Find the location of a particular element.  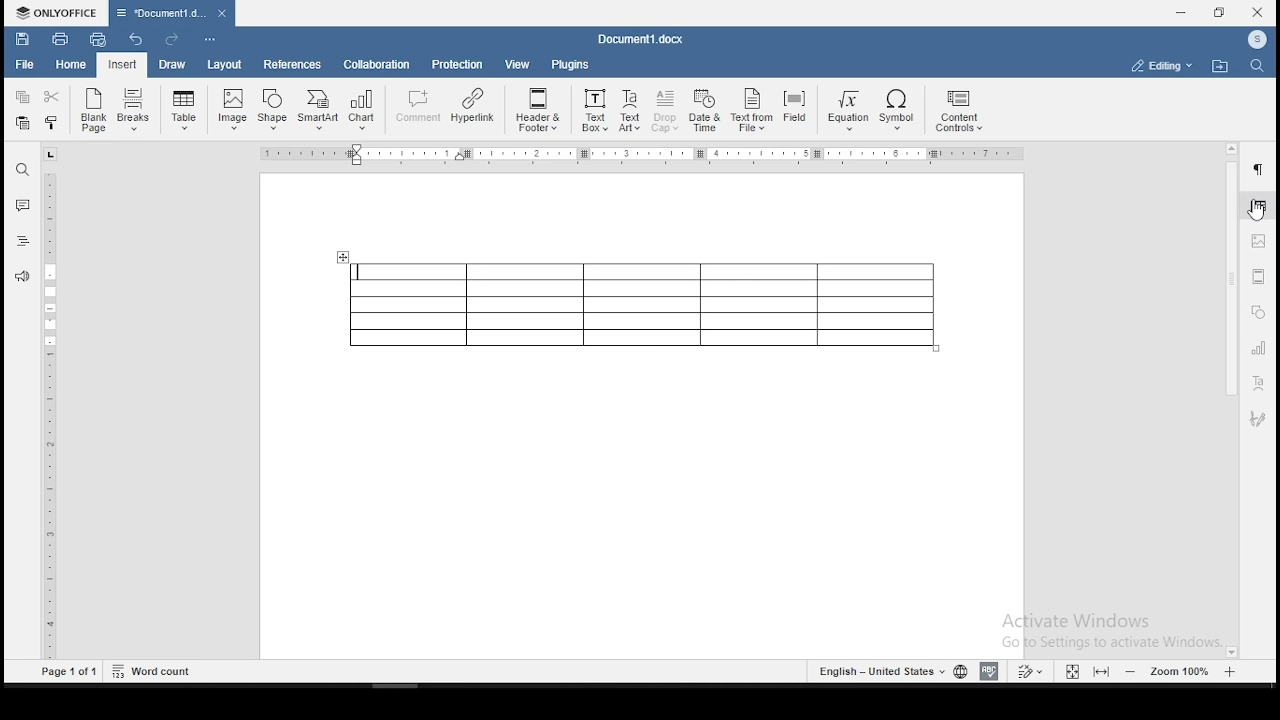

image settings is located at coordinates (1260, 242).